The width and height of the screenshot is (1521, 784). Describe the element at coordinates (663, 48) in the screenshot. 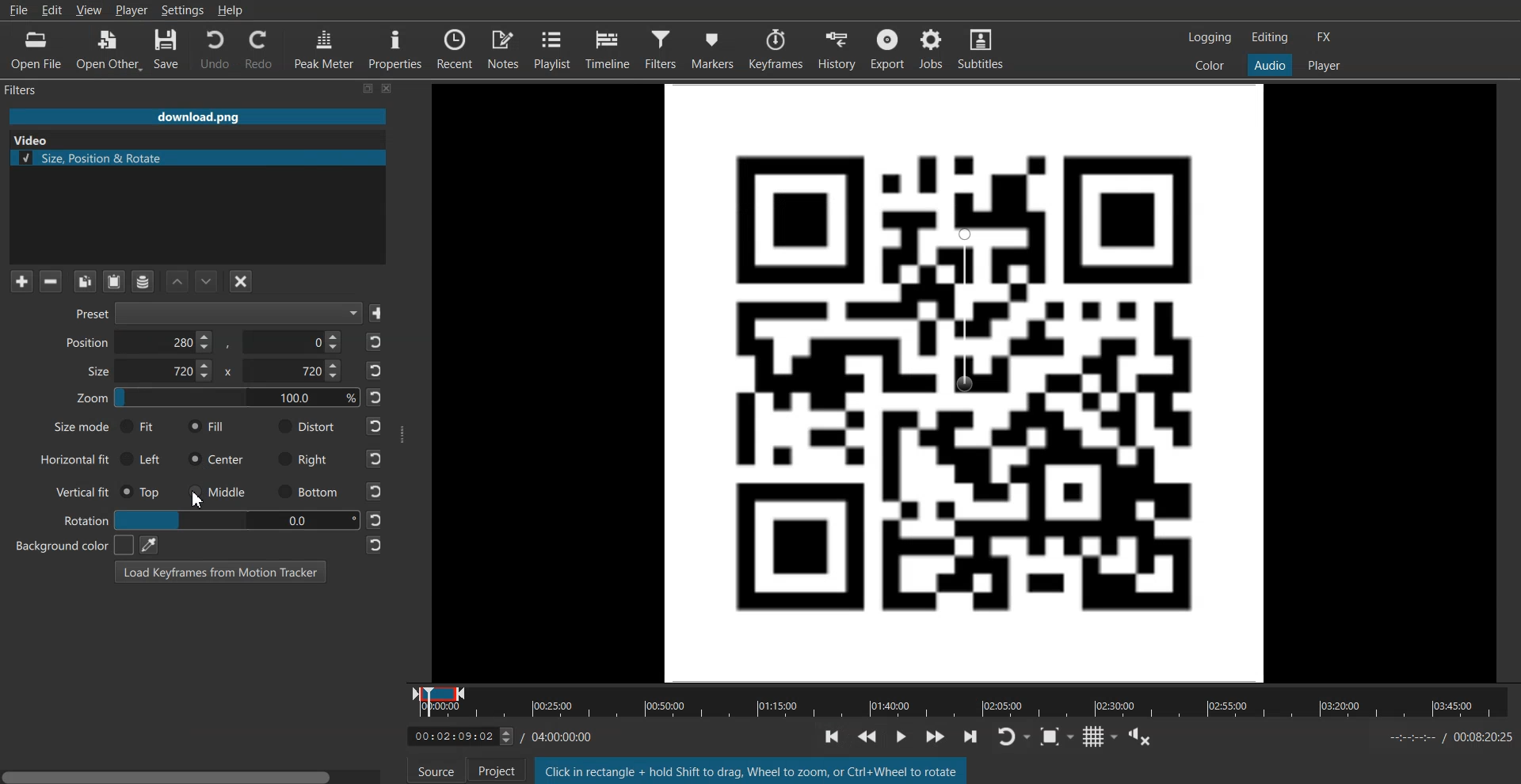

I see `Filters` at that location.